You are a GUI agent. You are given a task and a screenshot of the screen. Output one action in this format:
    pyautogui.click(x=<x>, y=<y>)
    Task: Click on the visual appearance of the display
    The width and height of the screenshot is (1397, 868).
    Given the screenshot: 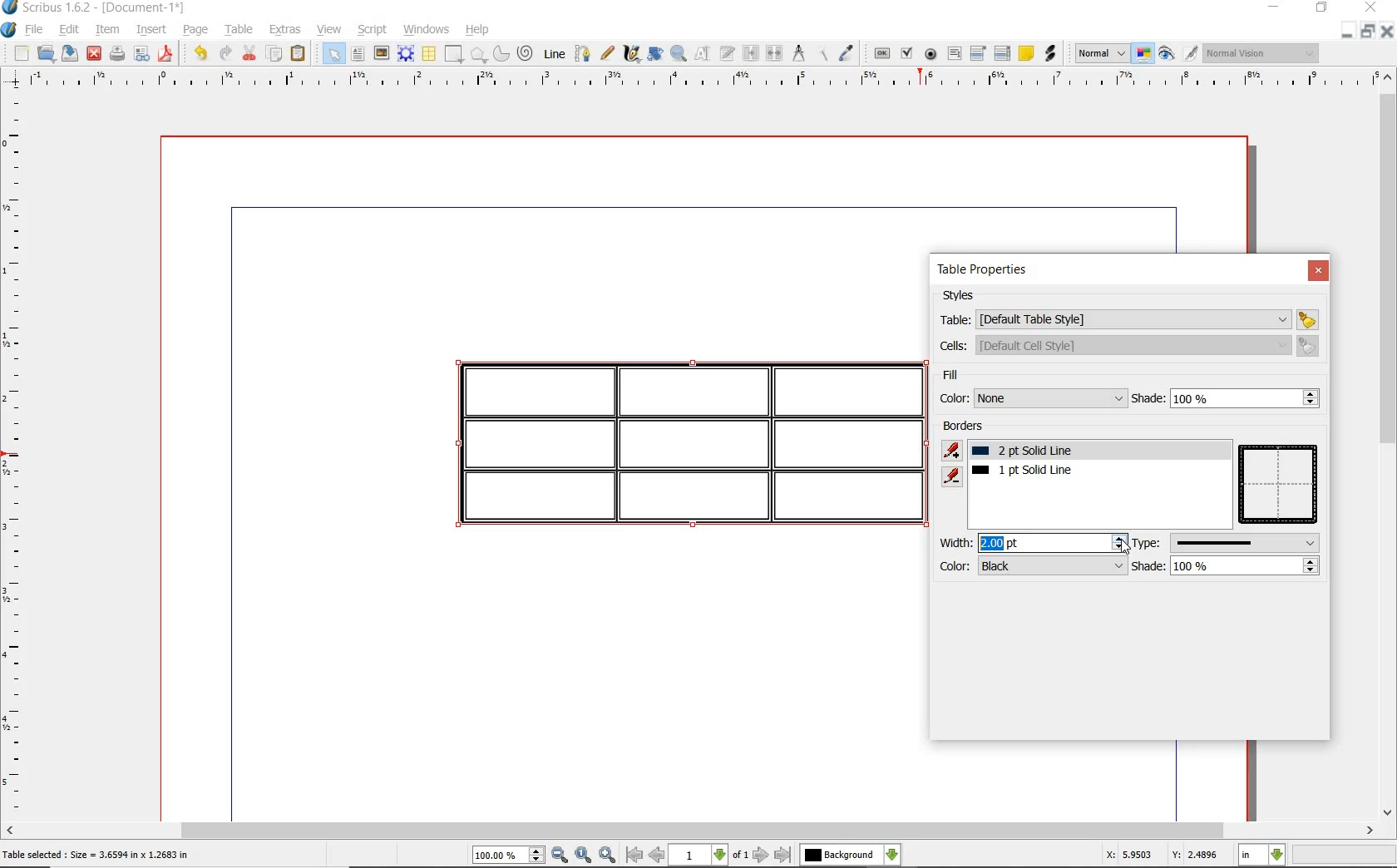 What is the action you would take?
    pyautogui.click(x=1266, y=55)
    